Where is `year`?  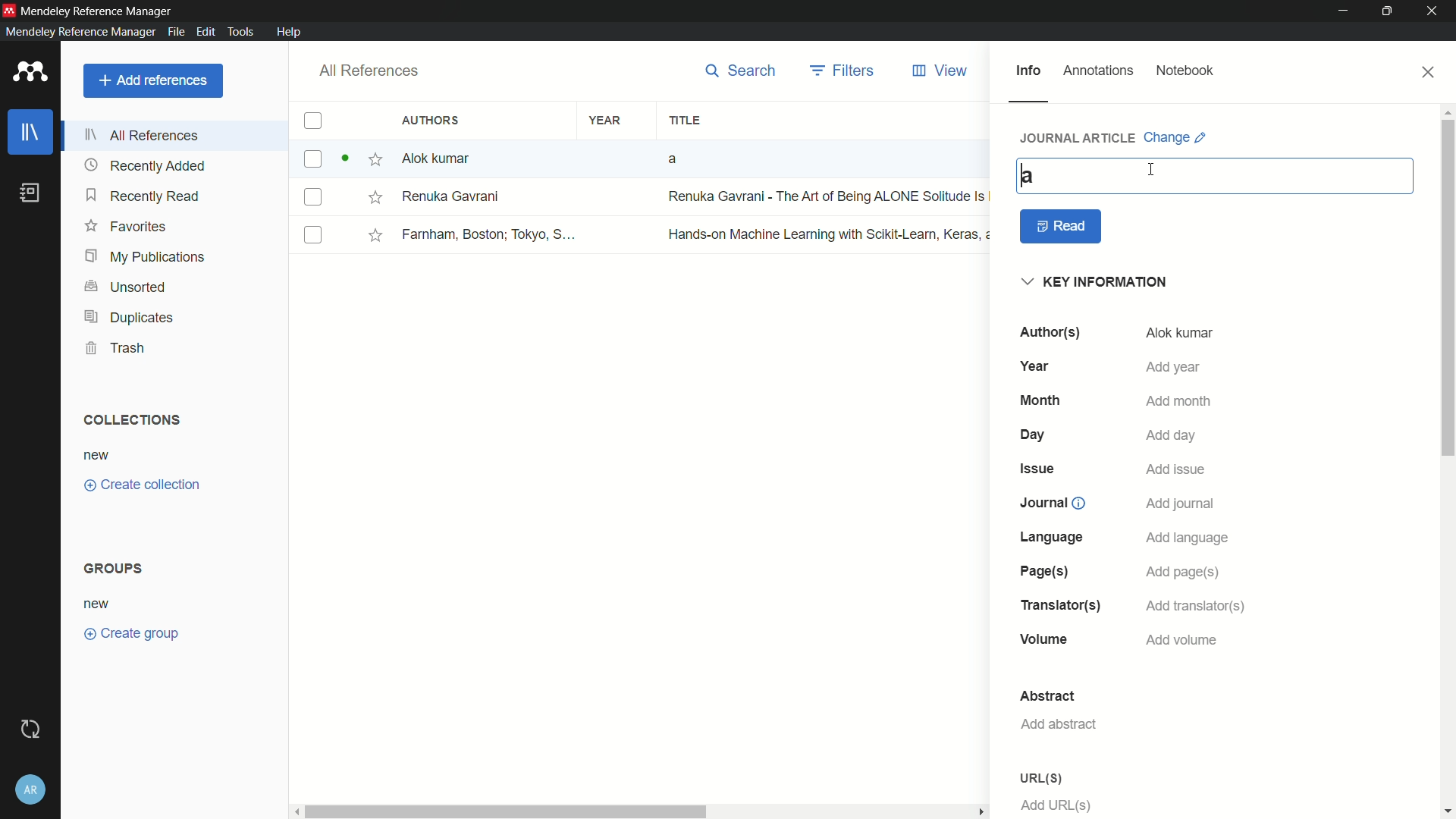
year is located at coordinates (1038, 366).